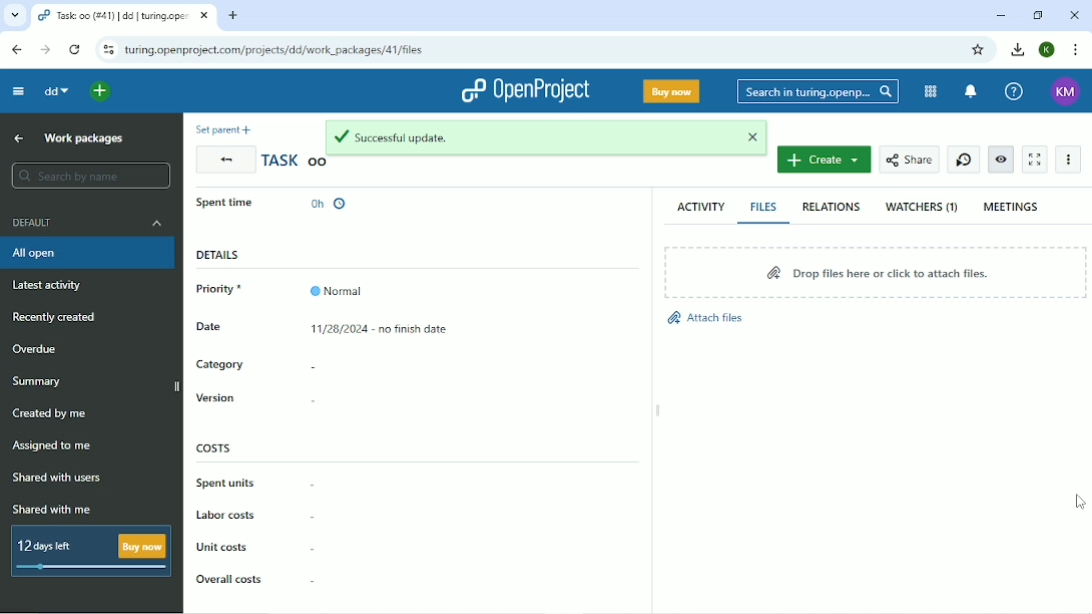  I want to click on Work packages, so click(82, 138).